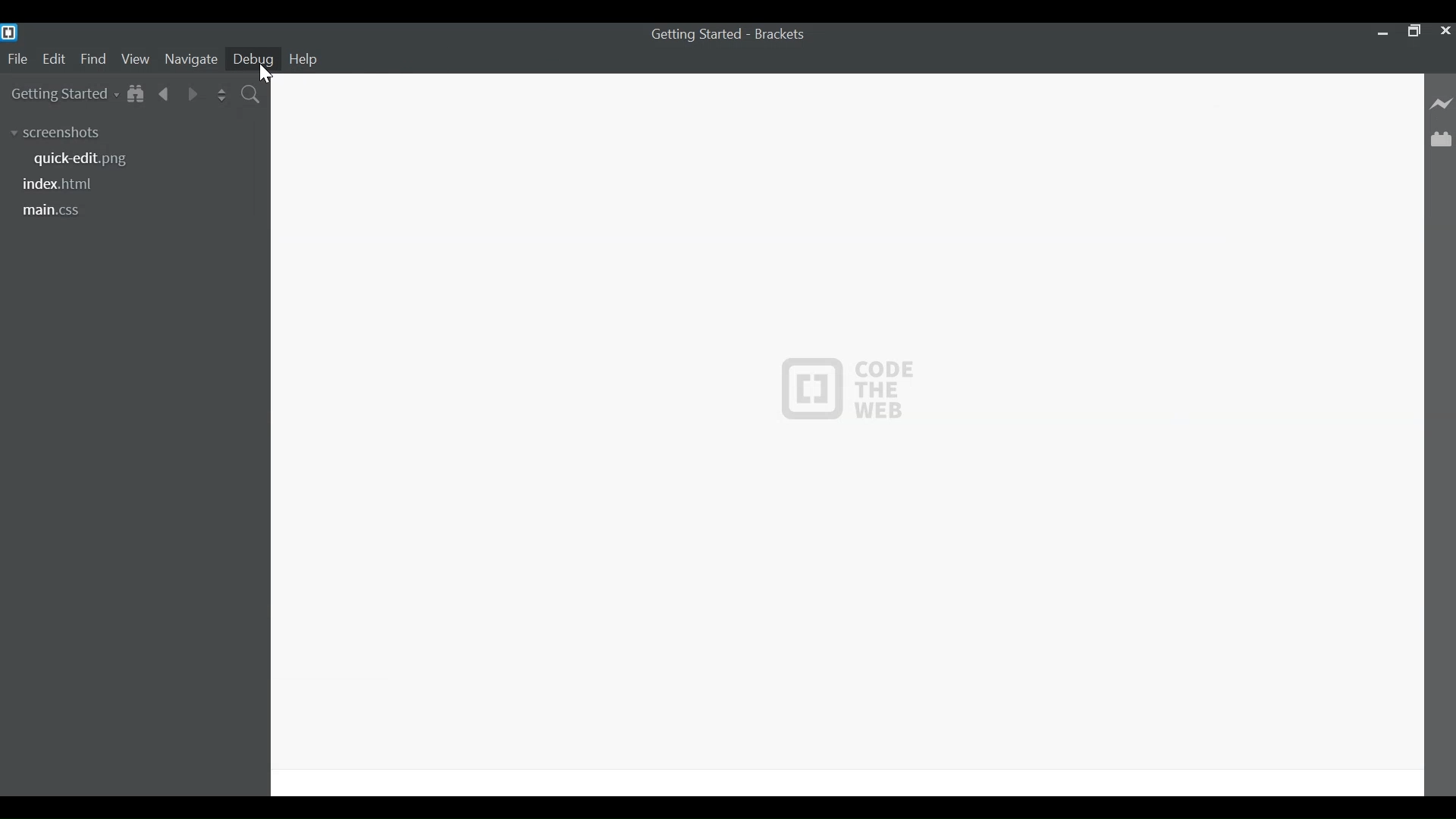  Describe the element at coordinates (58, 93) in the screenshot. I see `Getting Started` at that location.